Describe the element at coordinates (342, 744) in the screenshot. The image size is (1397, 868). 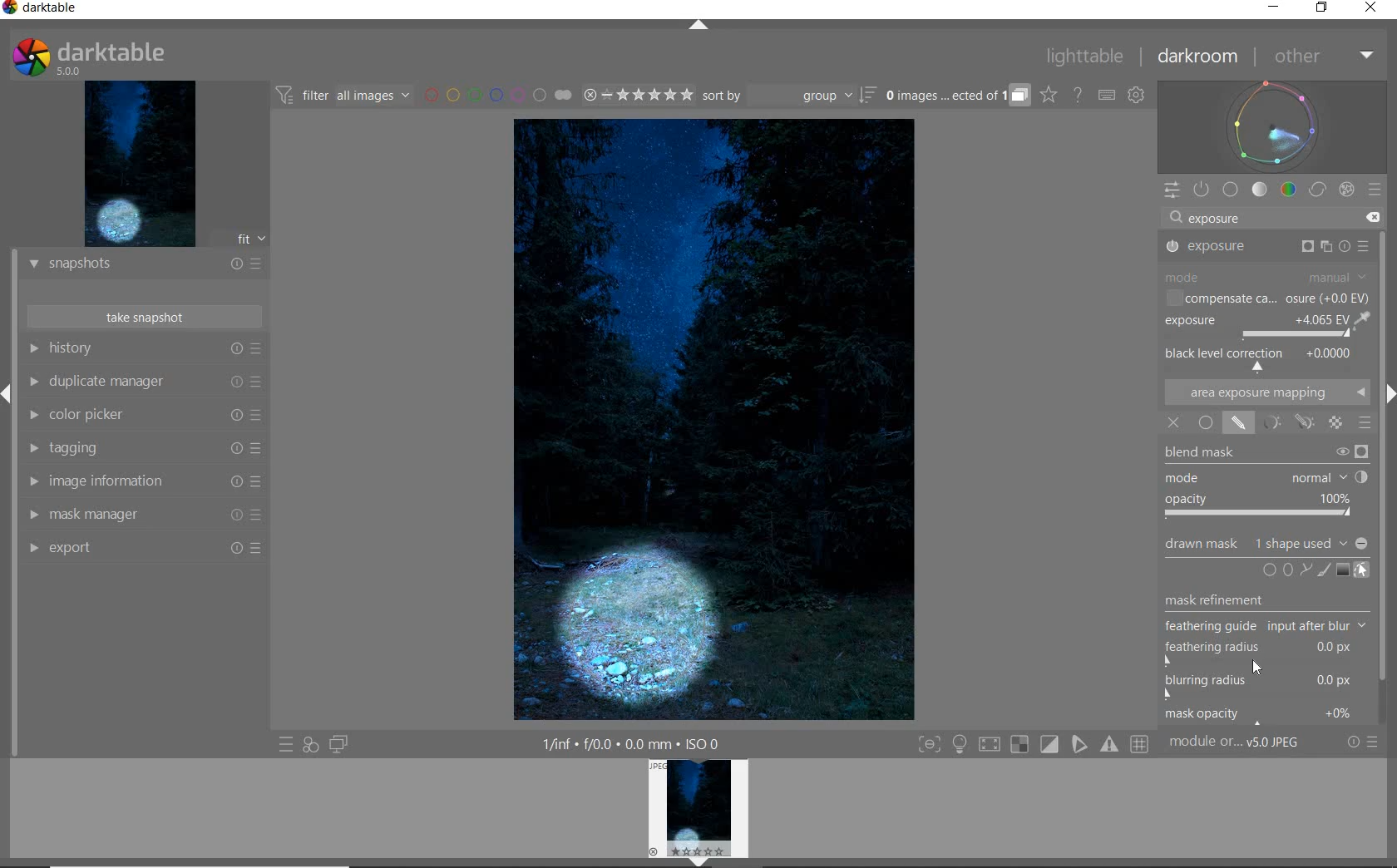
I see `DISPLAY A SECOND DARKROOM IMAGE WINDOW` at that location.